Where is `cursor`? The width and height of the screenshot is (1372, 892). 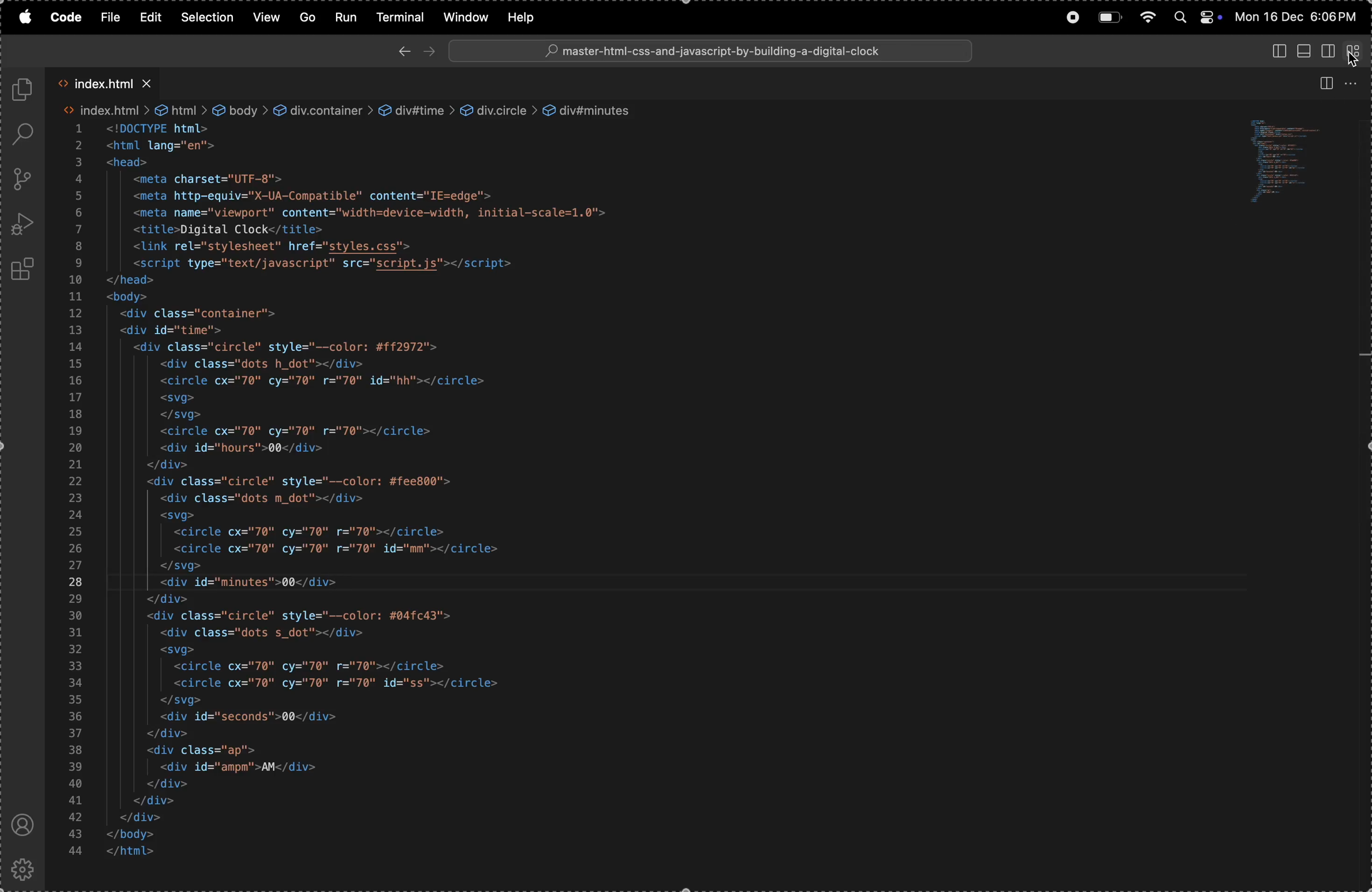 cursor is located at coordinates (1350, 59).